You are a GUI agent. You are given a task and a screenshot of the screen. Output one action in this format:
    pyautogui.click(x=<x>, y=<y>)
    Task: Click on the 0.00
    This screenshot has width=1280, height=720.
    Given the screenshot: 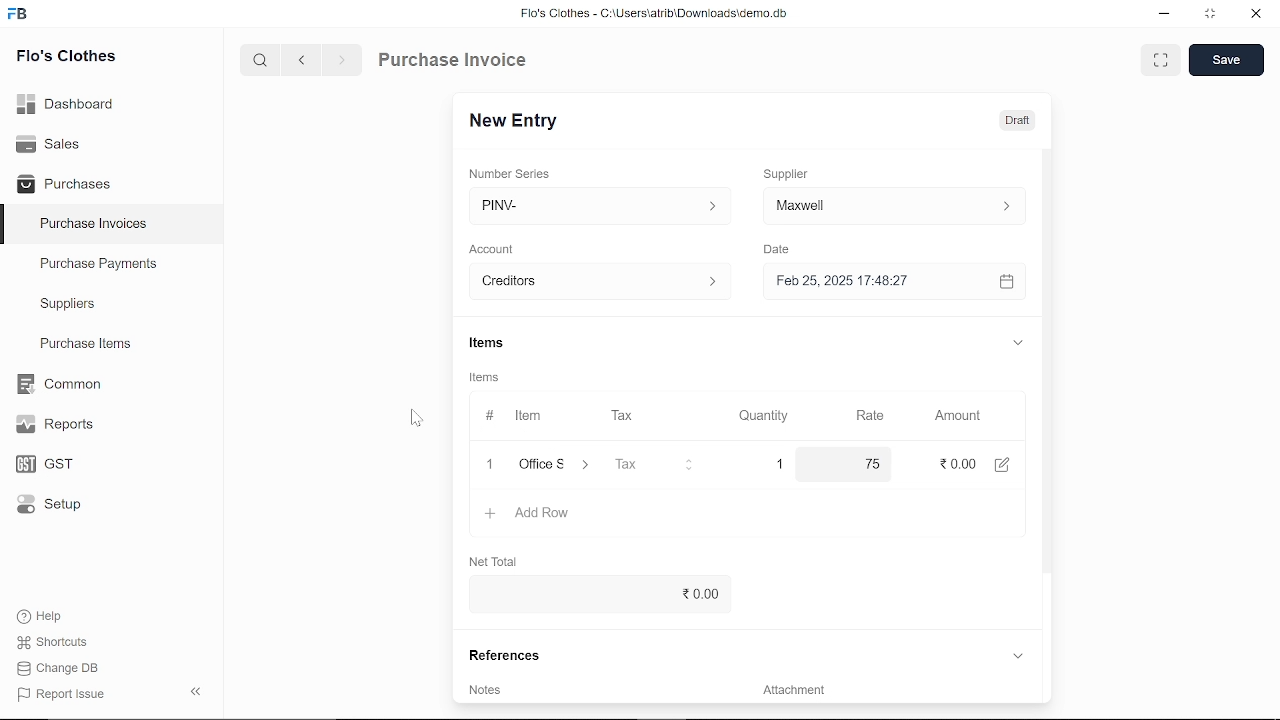 What is the action you would take?
    pyautogui.click(x=594, y=594)
    